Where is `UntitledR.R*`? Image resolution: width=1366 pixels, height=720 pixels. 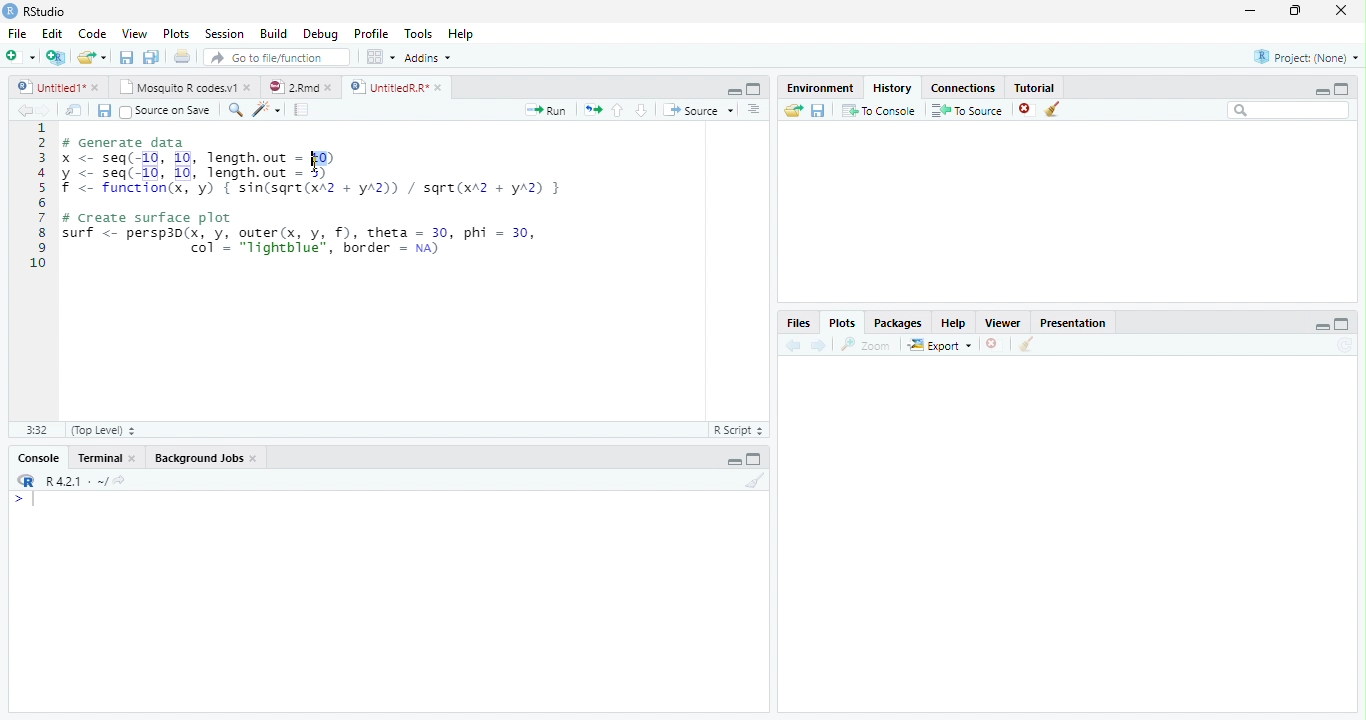
UntitledR.R* is located at coordinates (387, 87).